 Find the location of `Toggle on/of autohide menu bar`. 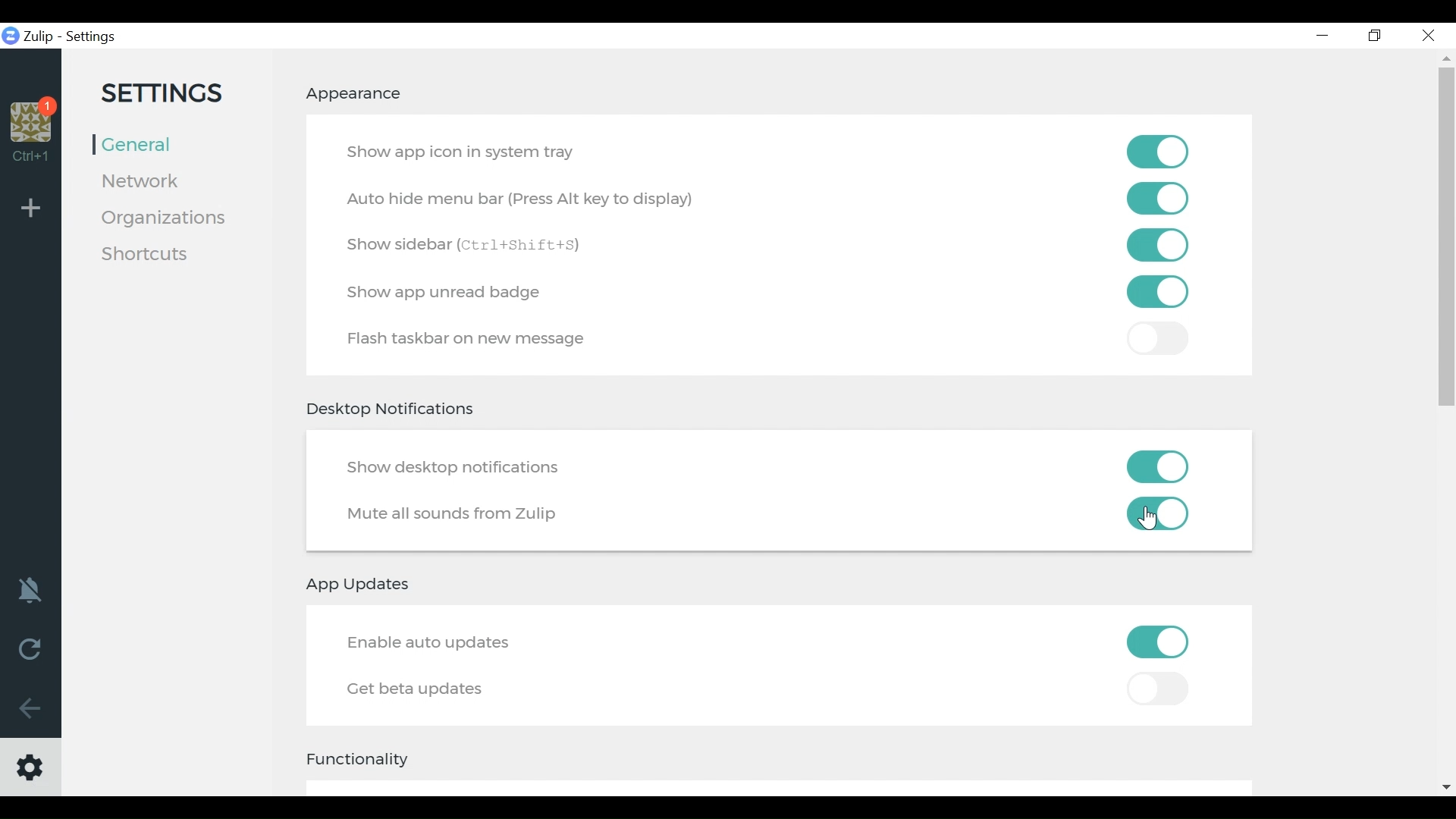

Toggle on/of autohide menu bar is located at coordinates (1157, 199).